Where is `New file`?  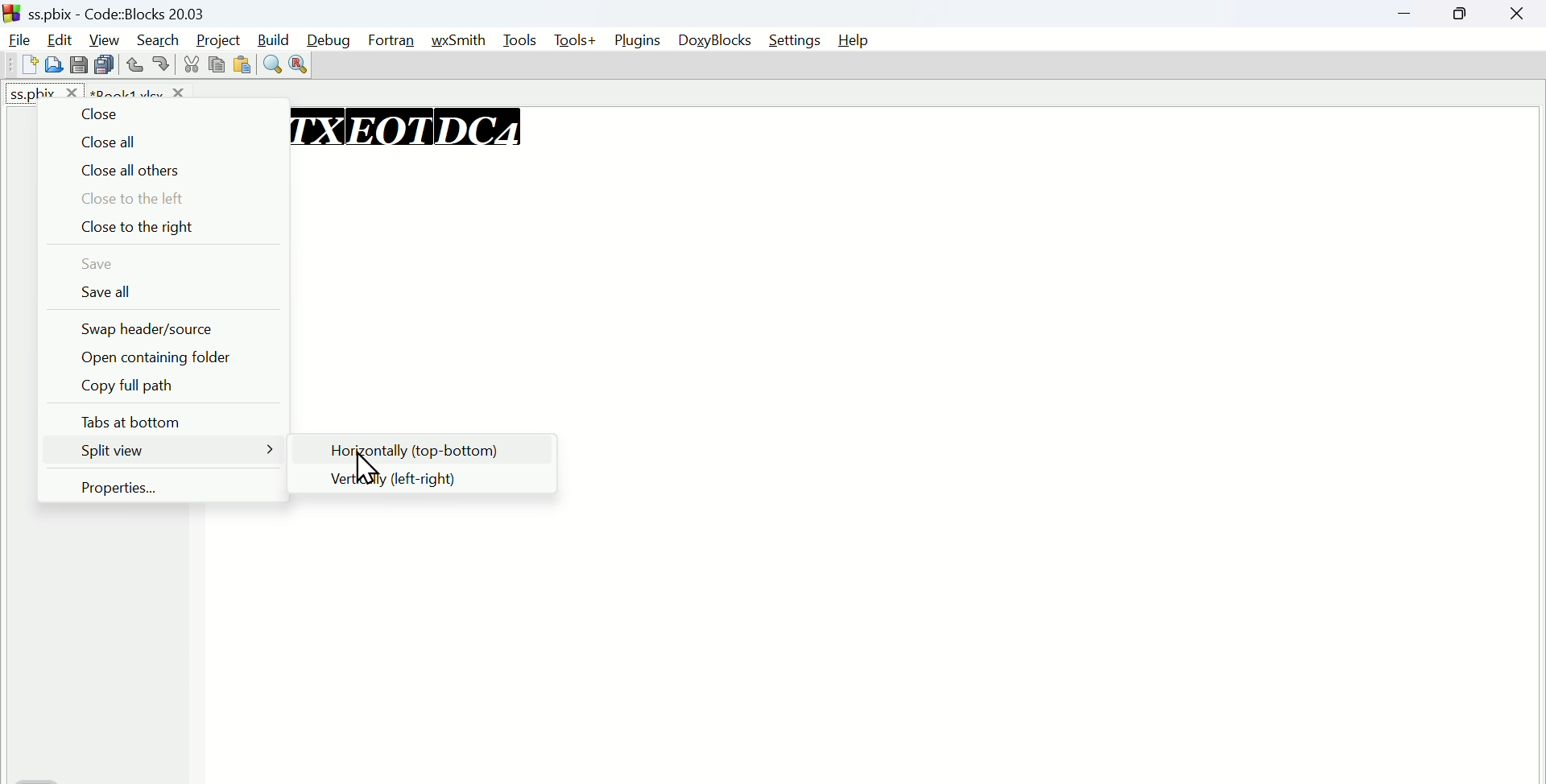 New file is located at coordinates (25, 64).